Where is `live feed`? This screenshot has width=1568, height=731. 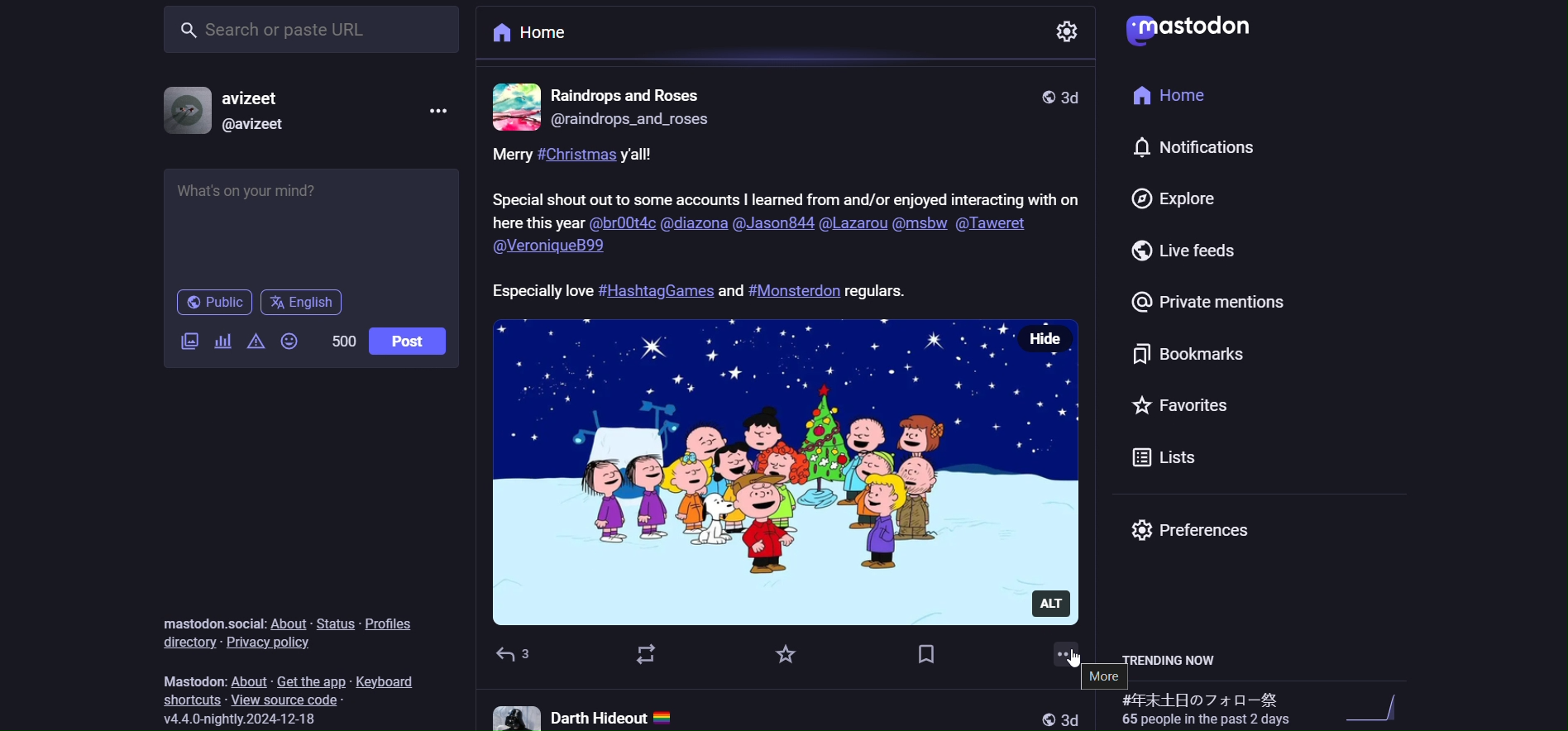
live feed is located at coordinates (1186, 252).